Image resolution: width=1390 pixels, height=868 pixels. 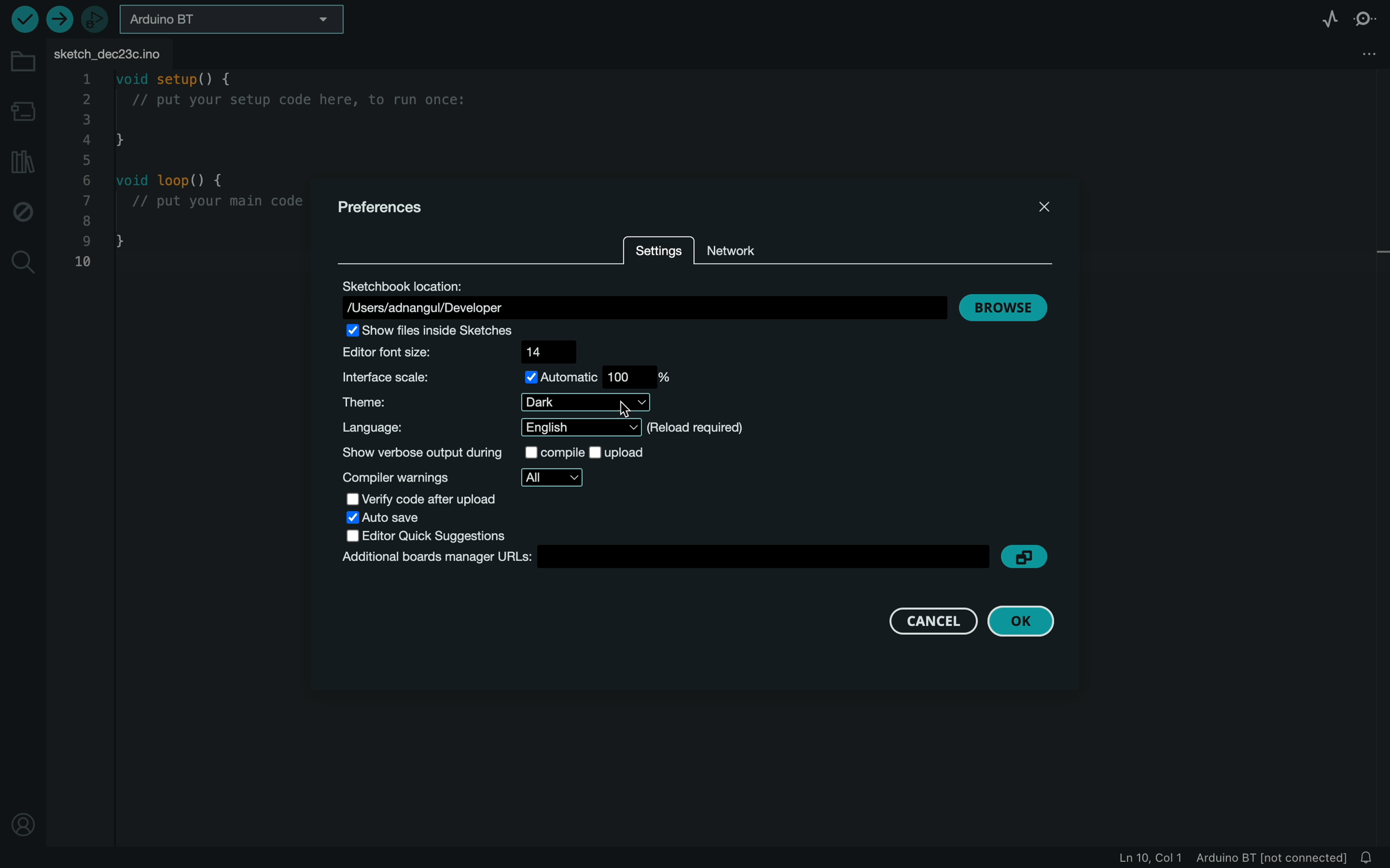 I want to click on network, so click(x=742, y=249).